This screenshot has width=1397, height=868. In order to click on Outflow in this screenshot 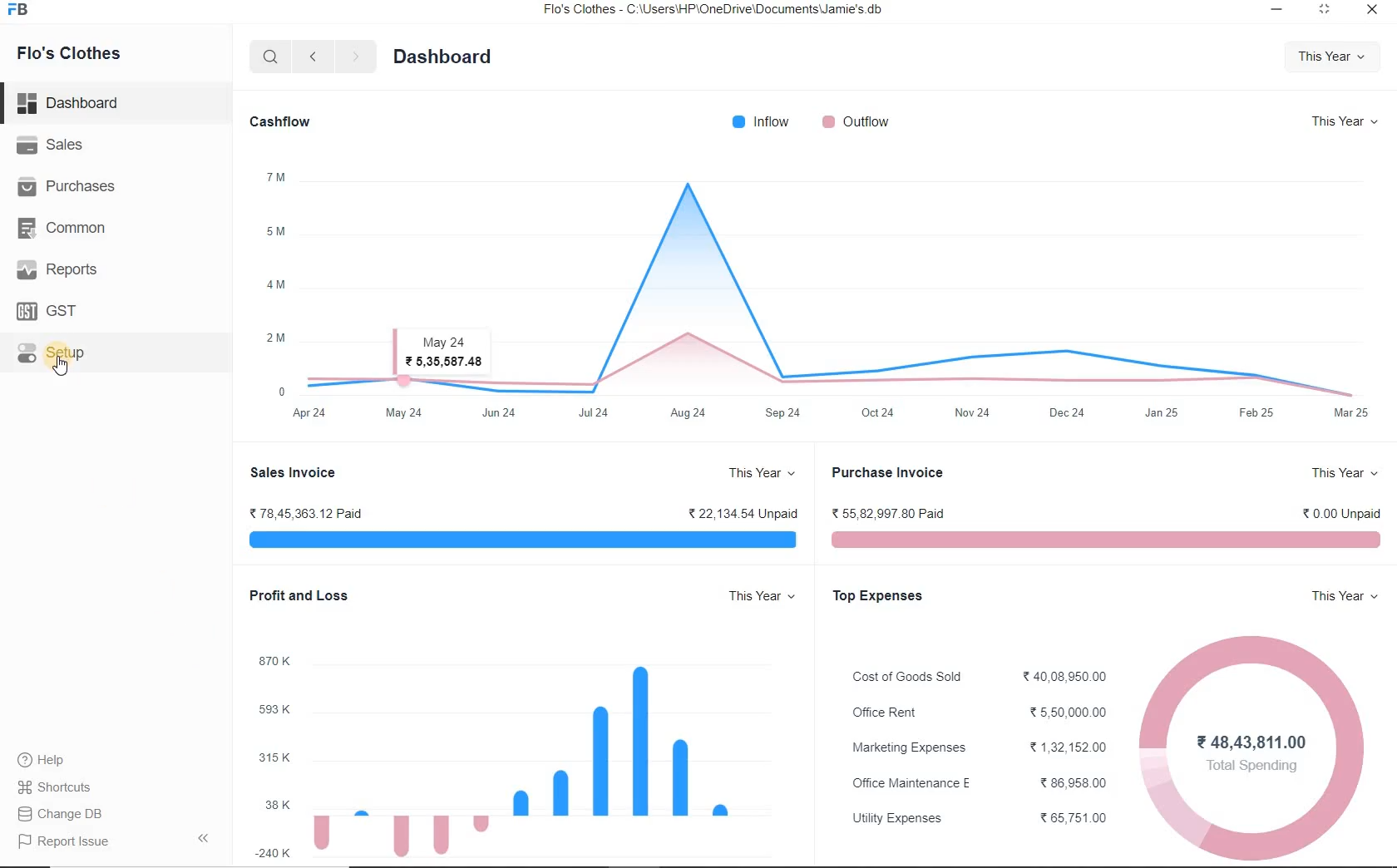, I will do `click(859, 123)`.